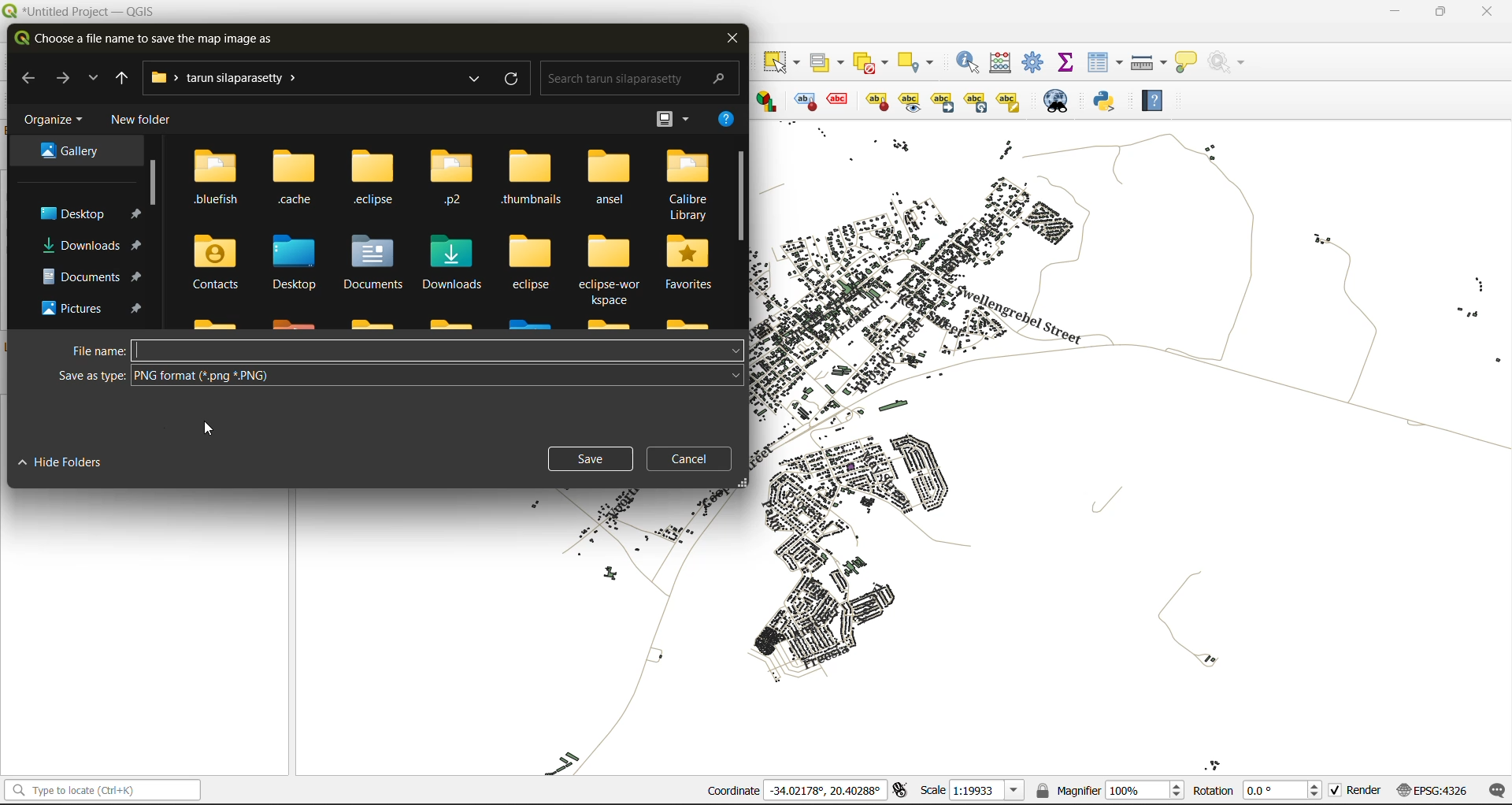 Image resolution: width=1512 pixels, height=805 pixels. What do you see at coordinates (1159, 100) in the screenshot?
I see `help` at bounding box center [1159, 100].